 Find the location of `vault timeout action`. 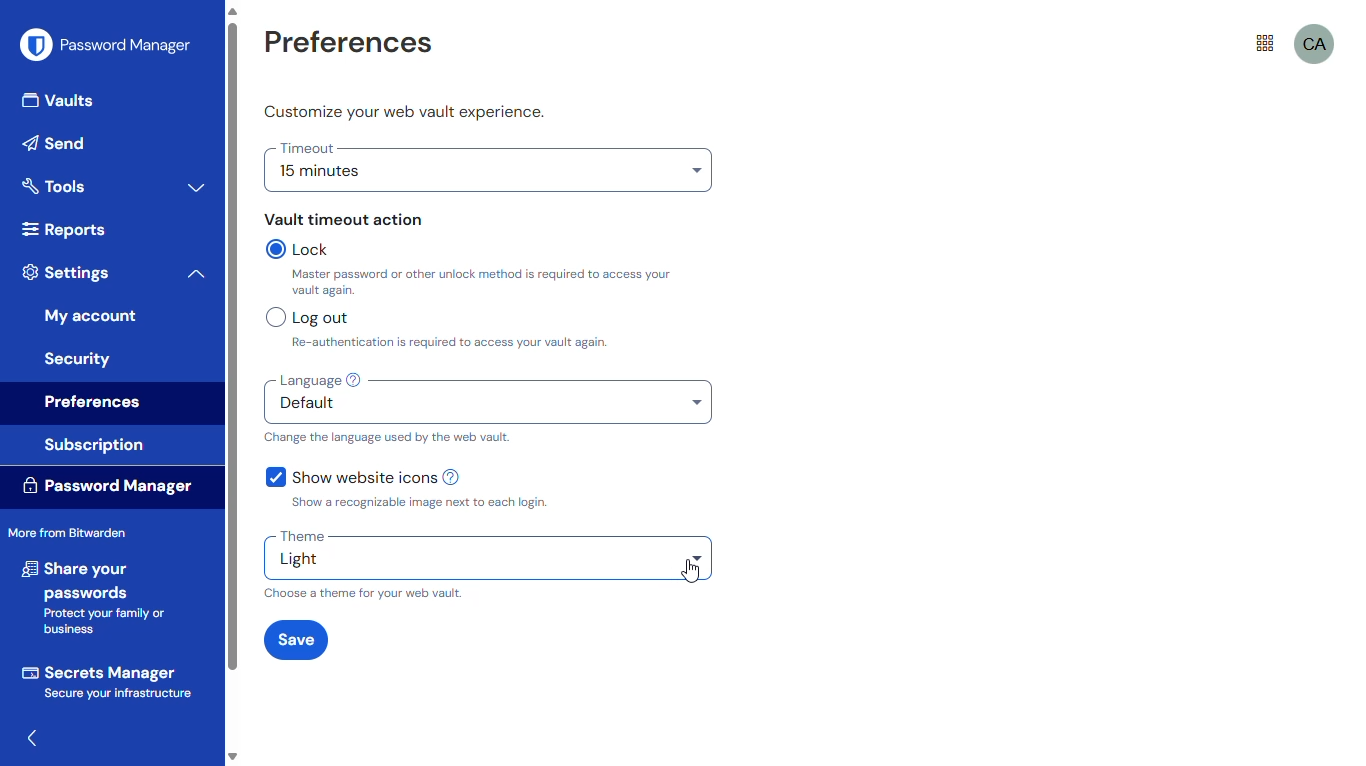

vault timeout action is located at coordinates (344, 219).